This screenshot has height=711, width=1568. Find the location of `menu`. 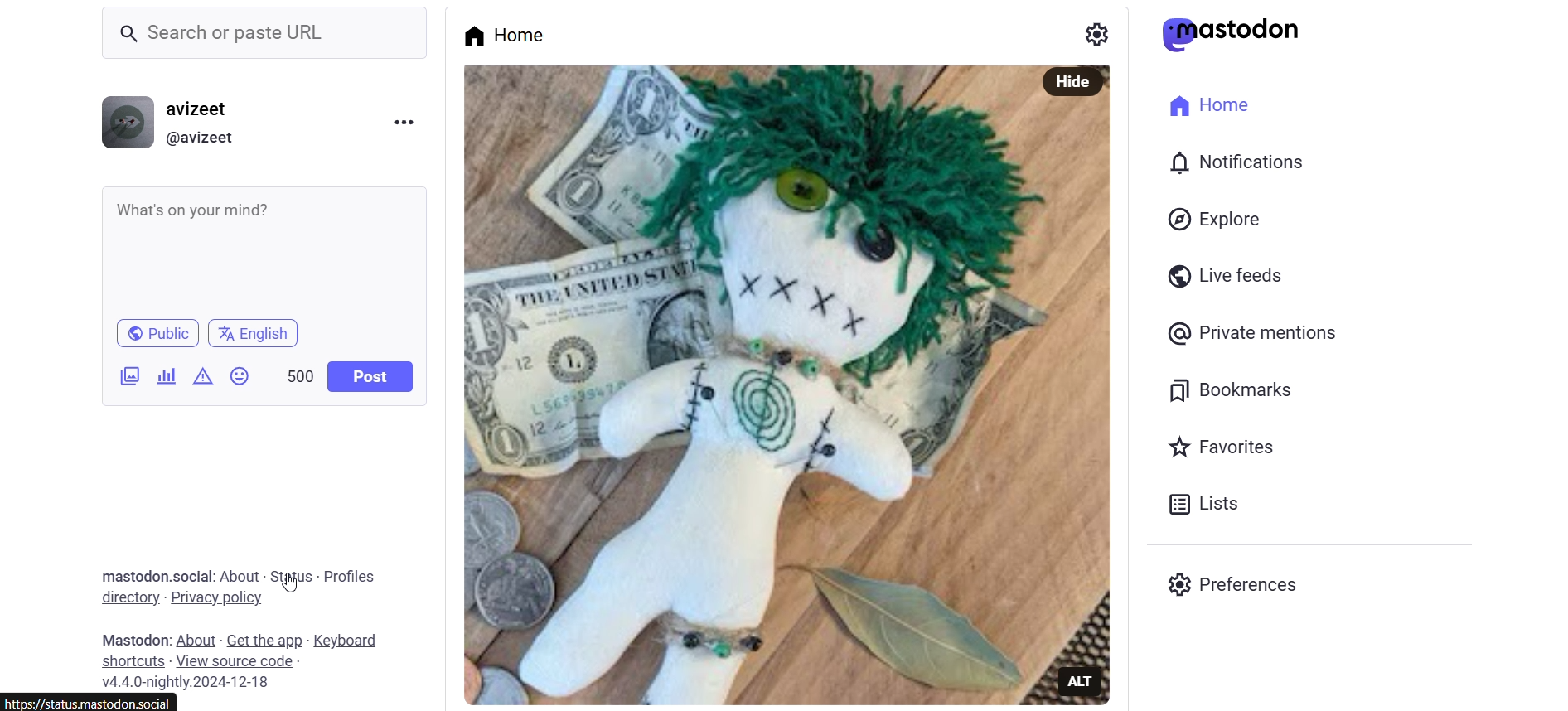

menu is located at coordinates (404, 121).